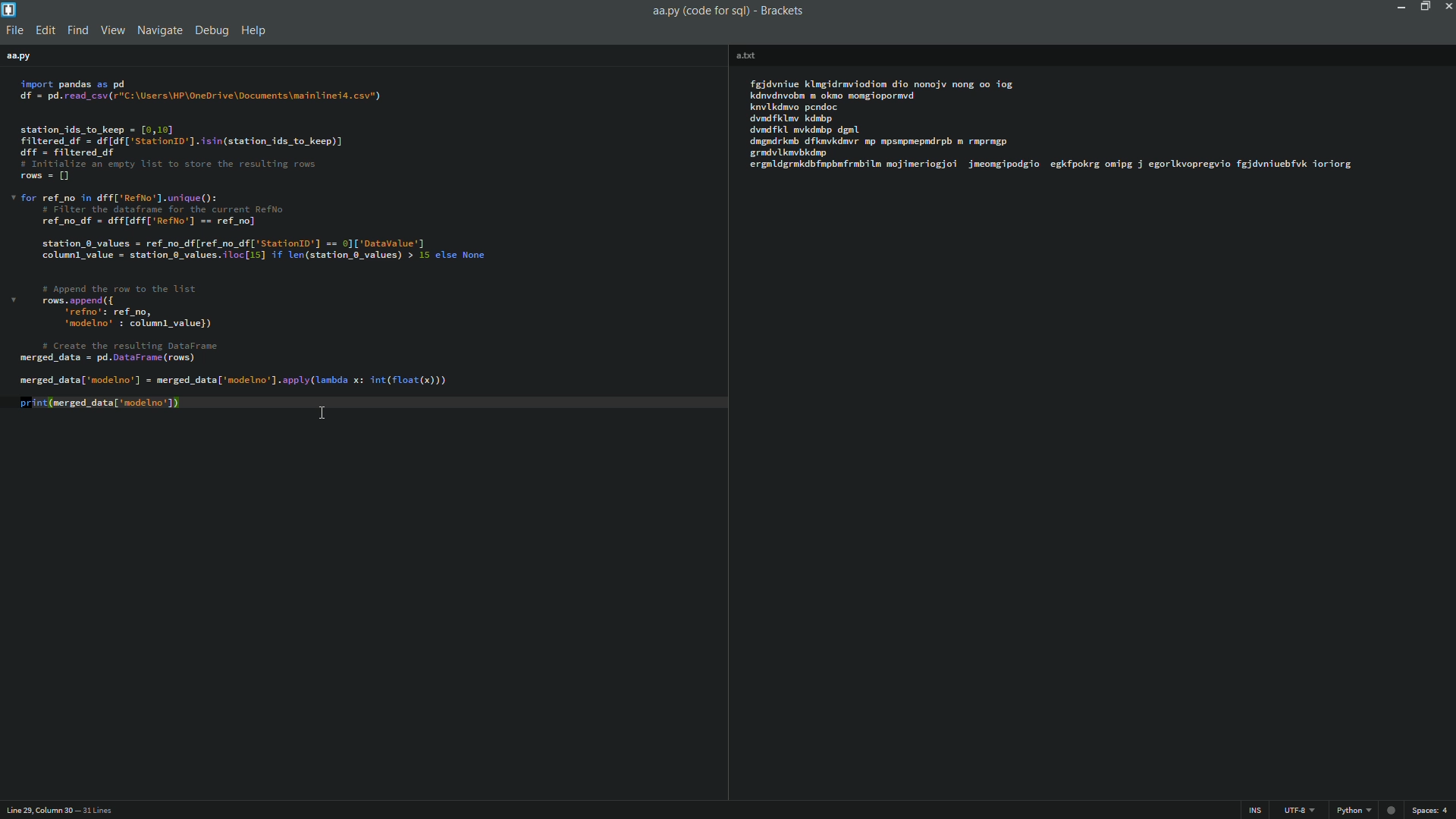 The height and width of the screenshot is (819, 1456). Describe the element at coordinates (749, 54) in the screenshot. I see `file name` at that location.